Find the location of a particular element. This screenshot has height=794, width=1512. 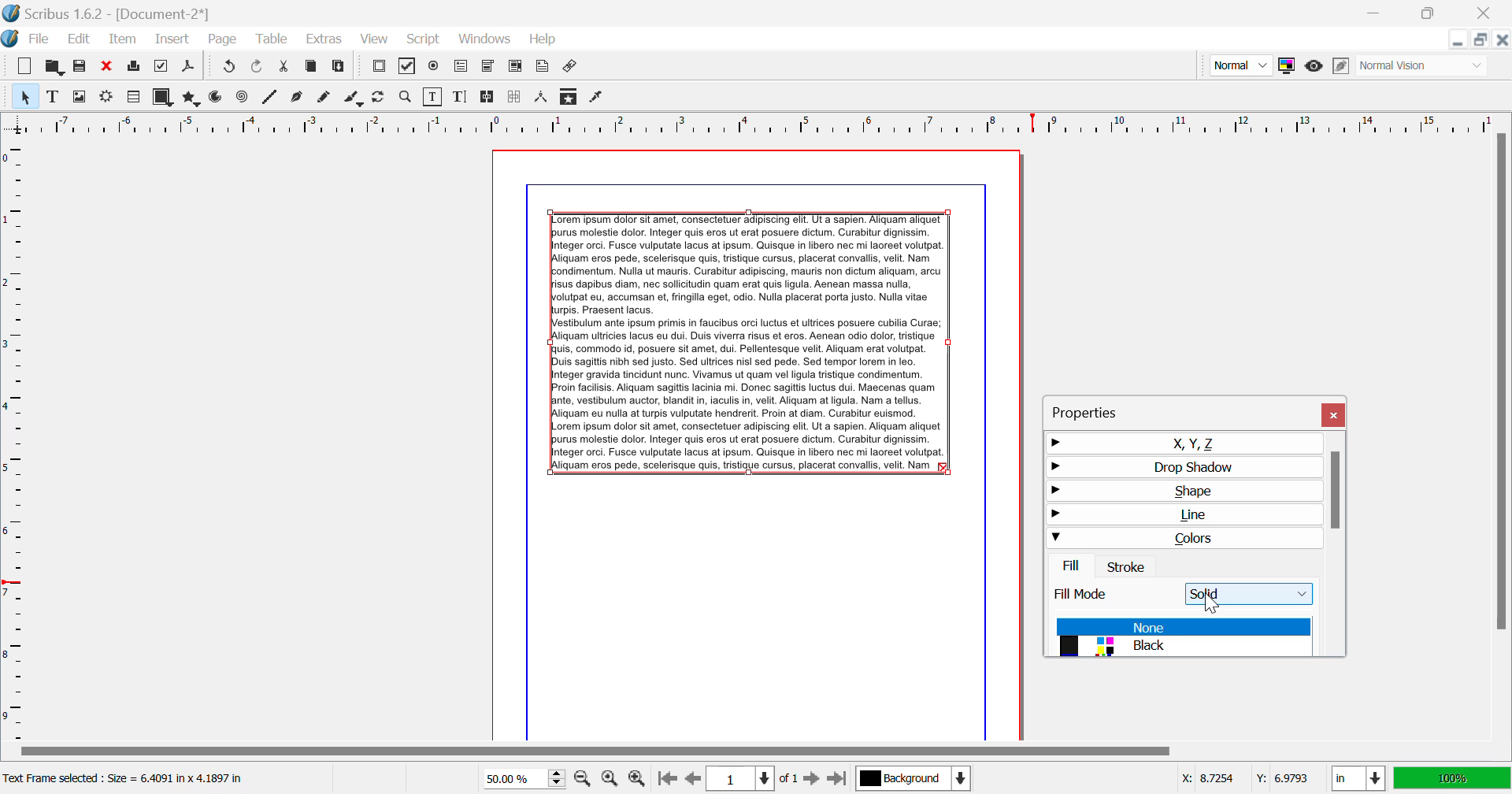

Page 1 of 1 is located at coordinates (750, 778).